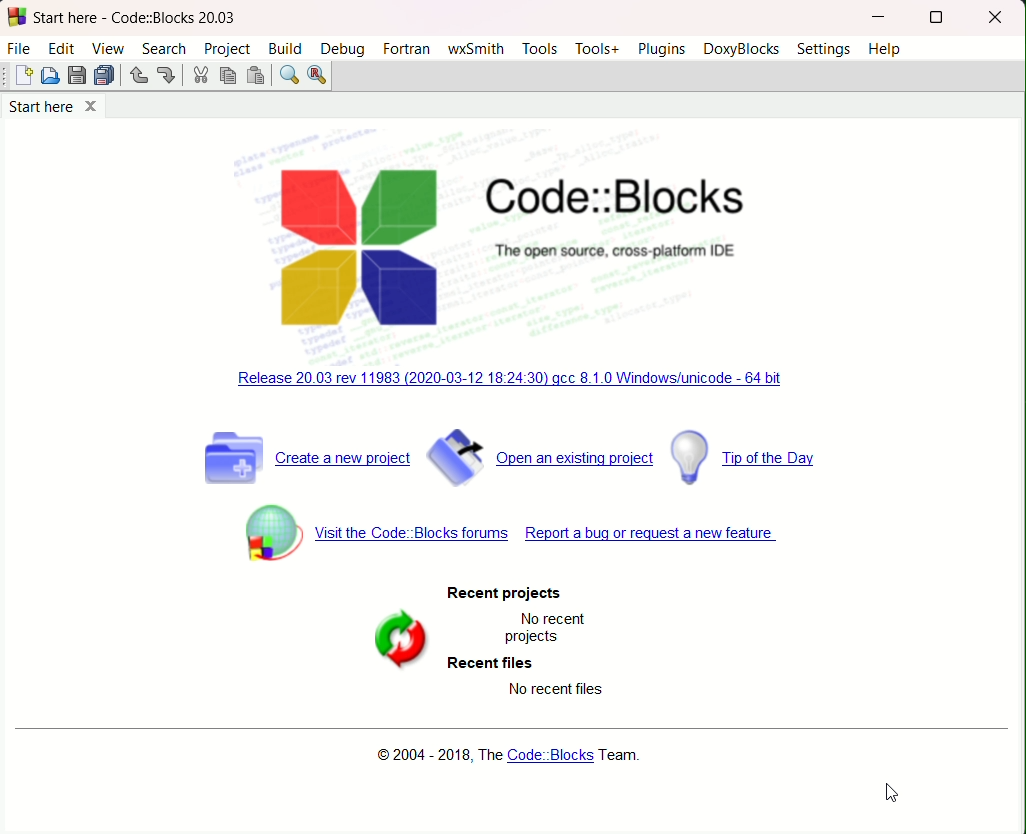  What do you see at coordinates (623, 198) in the screenshot?
I see `Title` at bounding box center [623, 198].